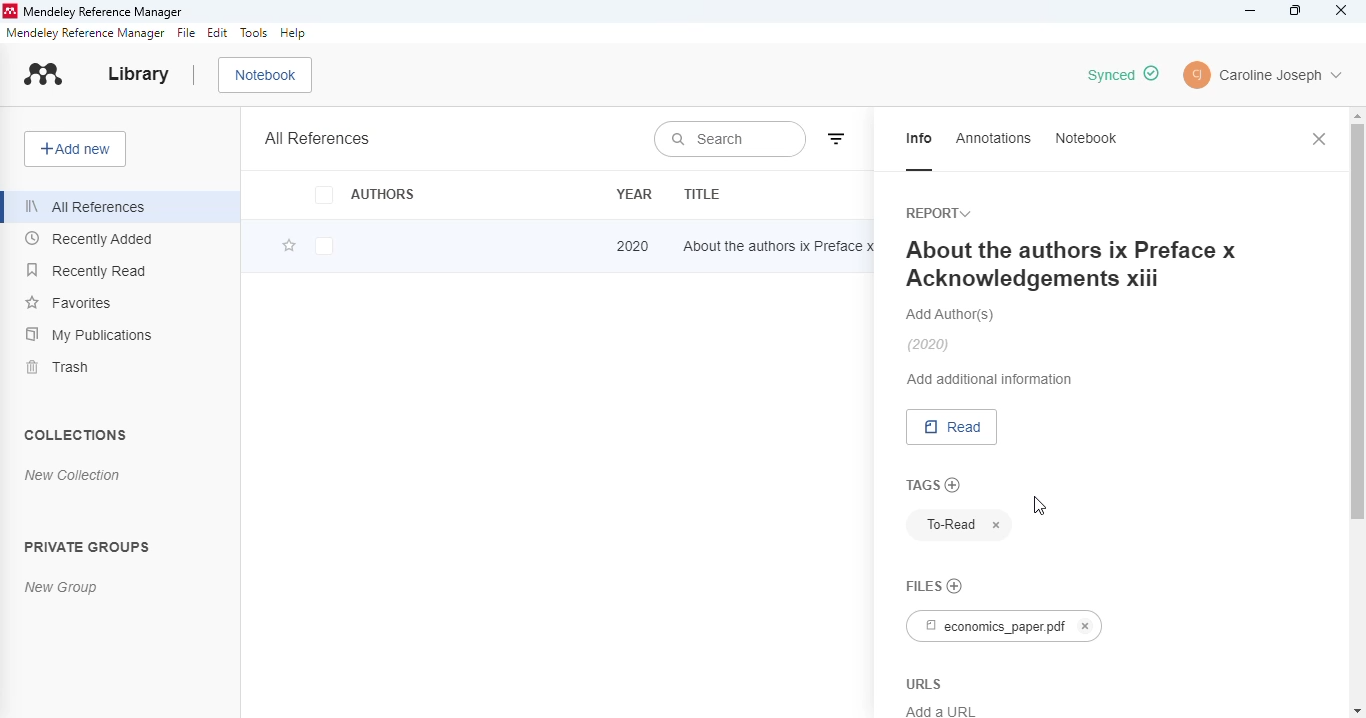 The width and height of the screenshot is (1366, 718). I want to click on help, so click(292, 33).